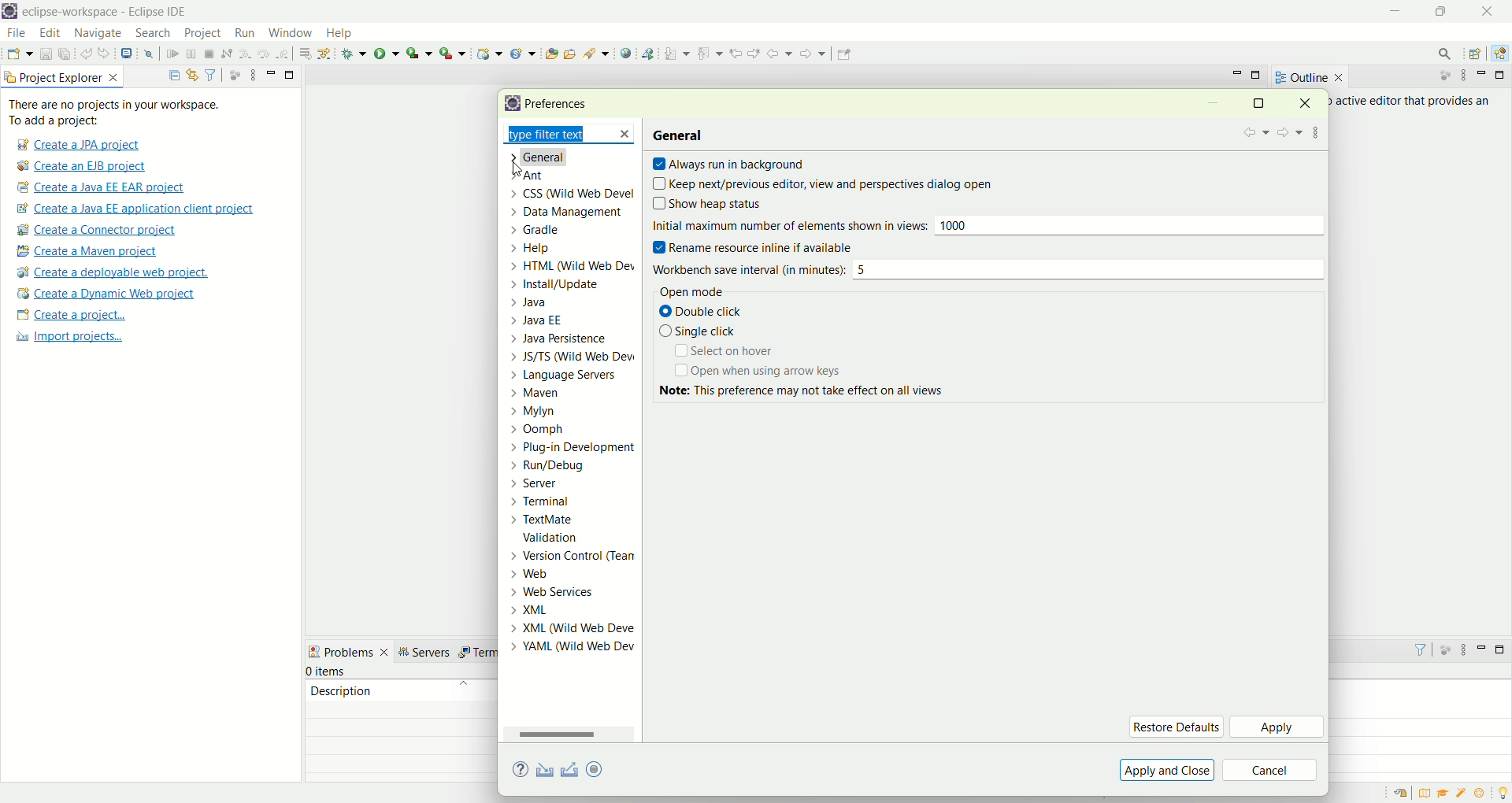 This screenshot has height=803, width=1512. I want to click on view menu, so click(1462, 653).